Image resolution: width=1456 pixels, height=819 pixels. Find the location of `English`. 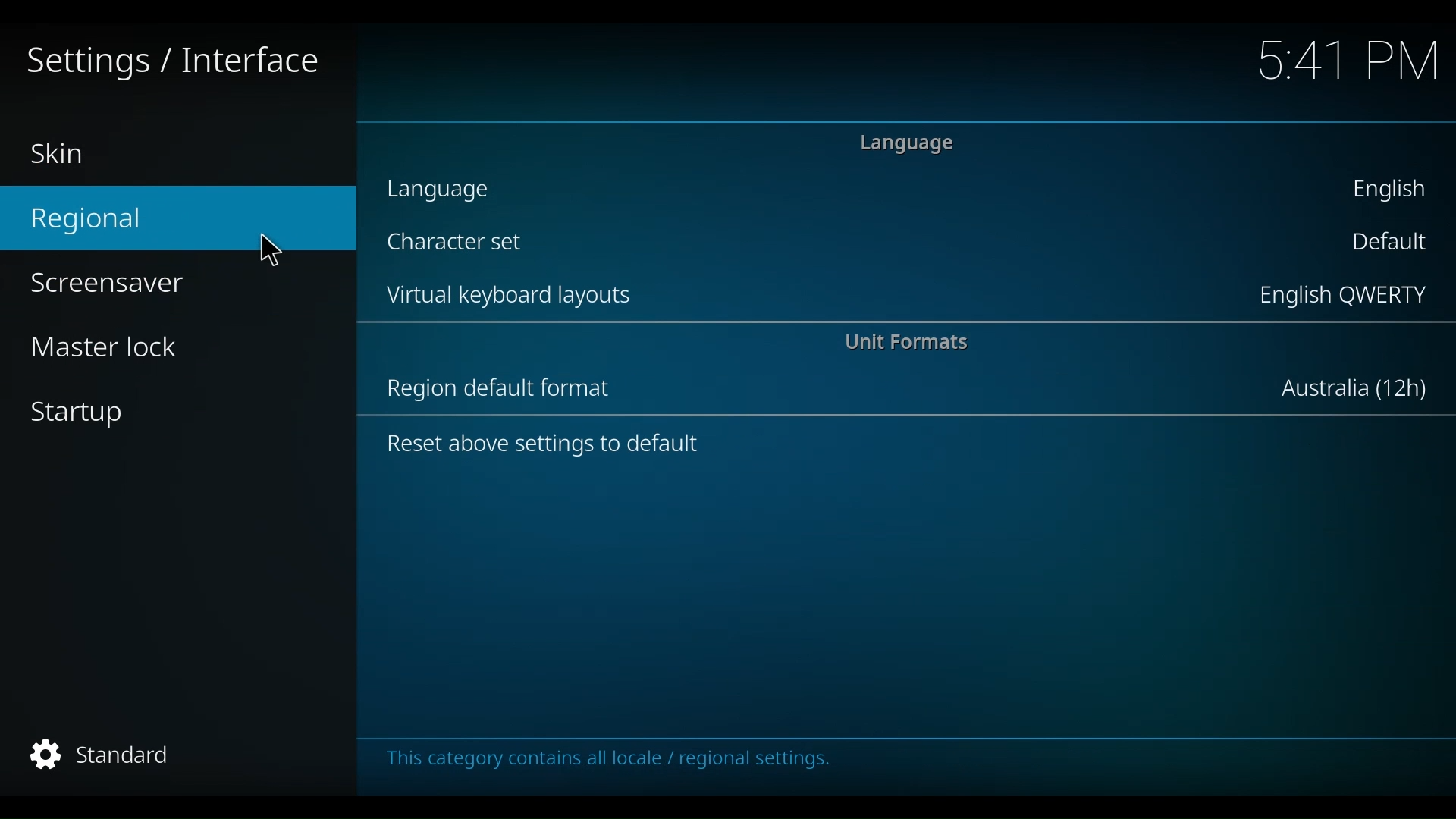

English is located at coordinates (1395, 192).